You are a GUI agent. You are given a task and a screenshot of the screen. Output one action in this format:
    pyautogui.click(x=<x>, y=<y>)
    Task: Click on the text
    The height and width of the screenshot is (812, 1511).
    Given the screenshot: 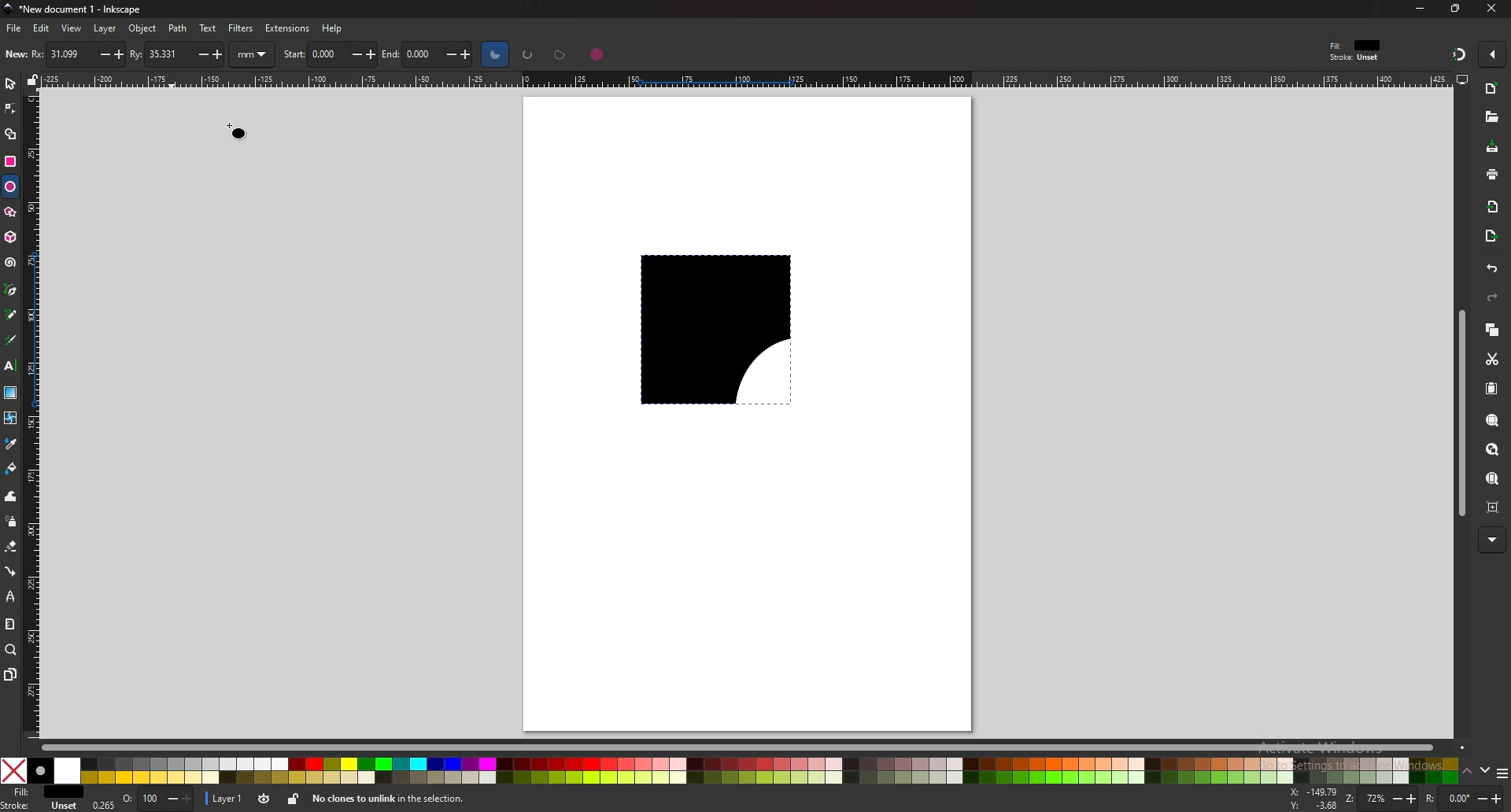 What is the action you would take?
    pyautogui.click(x=10, y=366)
    